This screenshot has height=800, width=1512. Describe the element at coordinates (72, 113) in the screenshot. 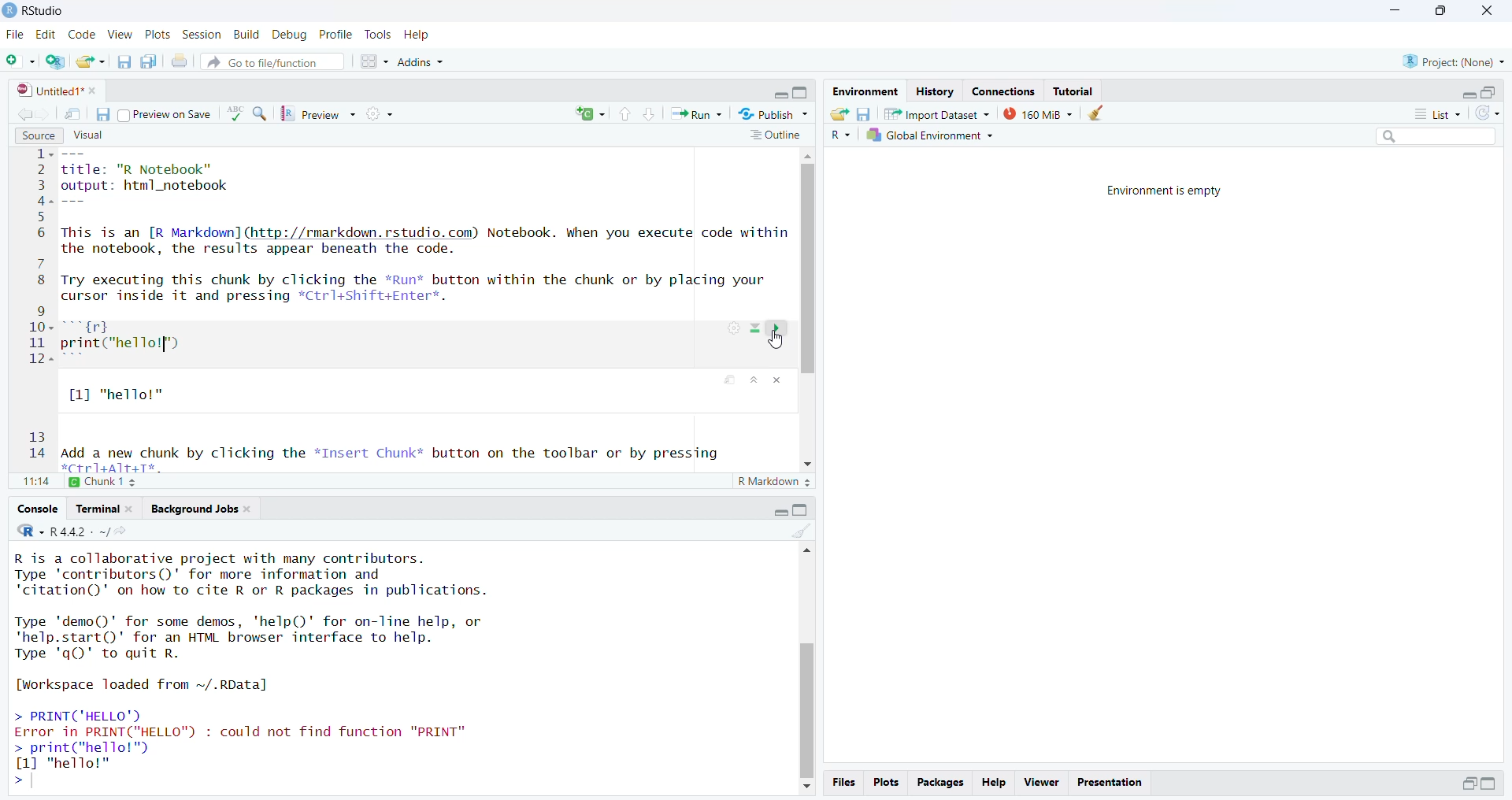

I see `show in new window` at that location.